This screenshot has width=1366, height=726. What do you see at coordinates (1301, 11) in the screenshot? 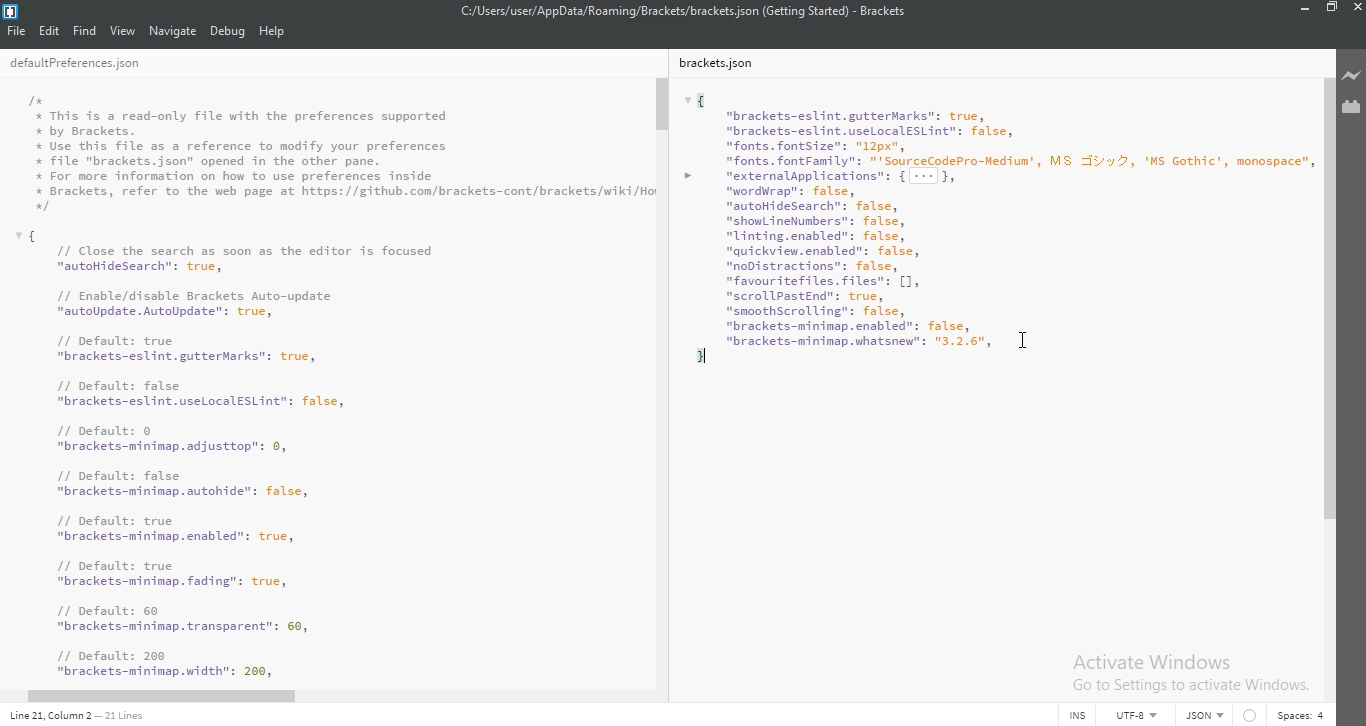
I see `minimise` at bounding box center [1301, 11].